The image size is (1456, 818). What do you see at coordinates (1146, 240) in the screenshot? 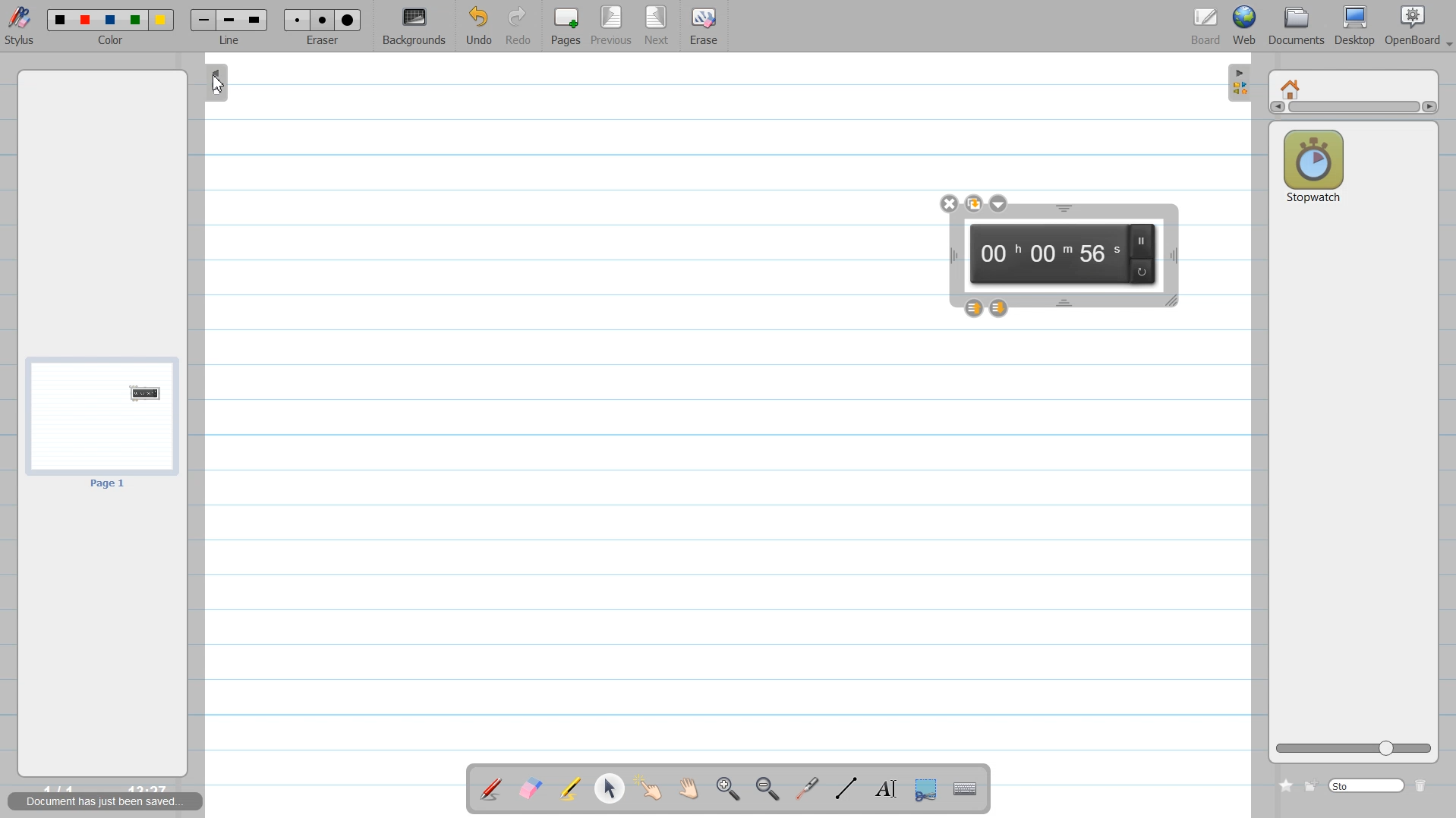
I see `pause` at bounding box center [1146, 240].